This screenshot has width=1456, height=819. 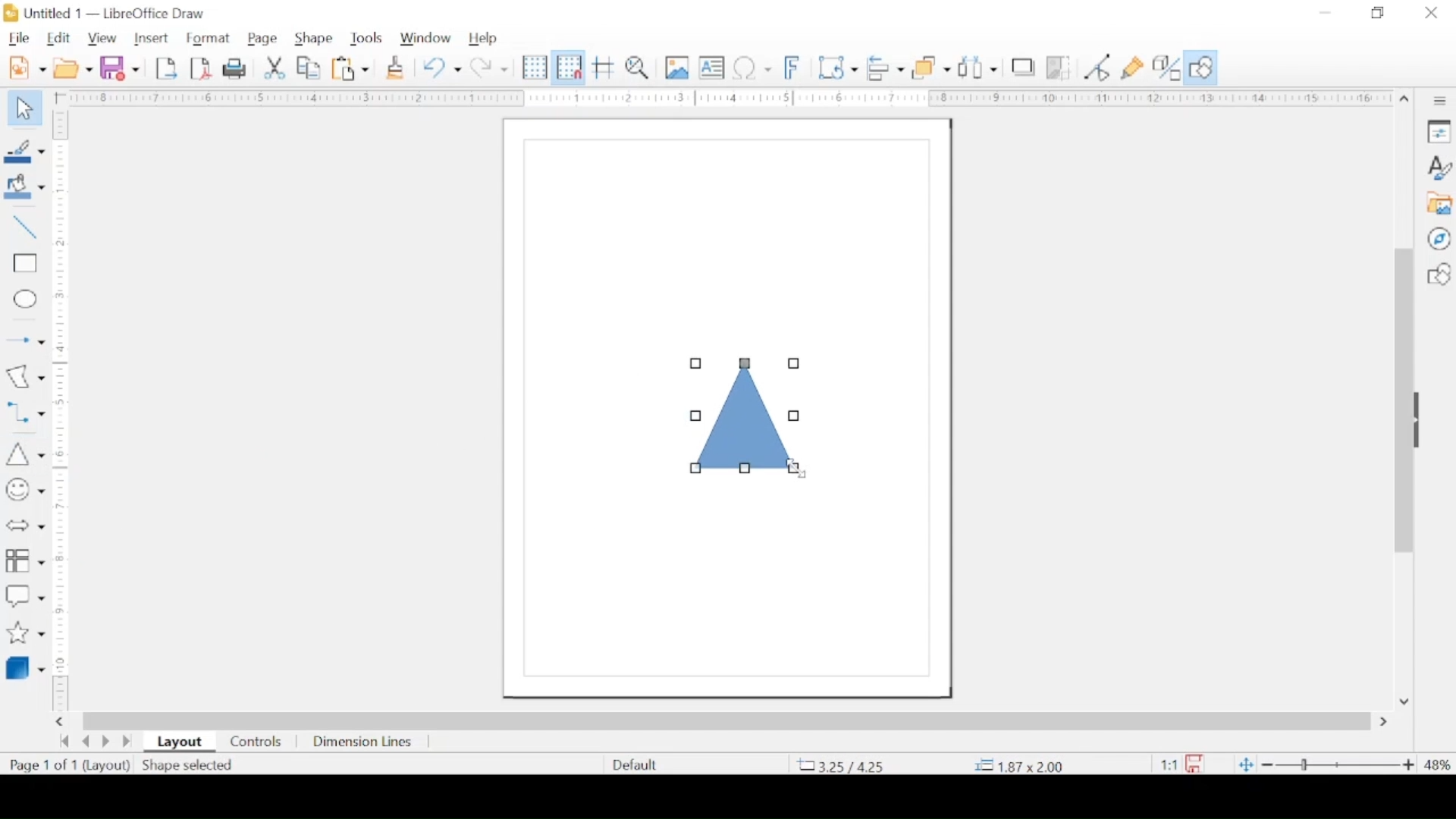 What do you see at coordinates (604, 67) in the screenshot?
I see `helplines while moving` at bounding box center [604, 67].